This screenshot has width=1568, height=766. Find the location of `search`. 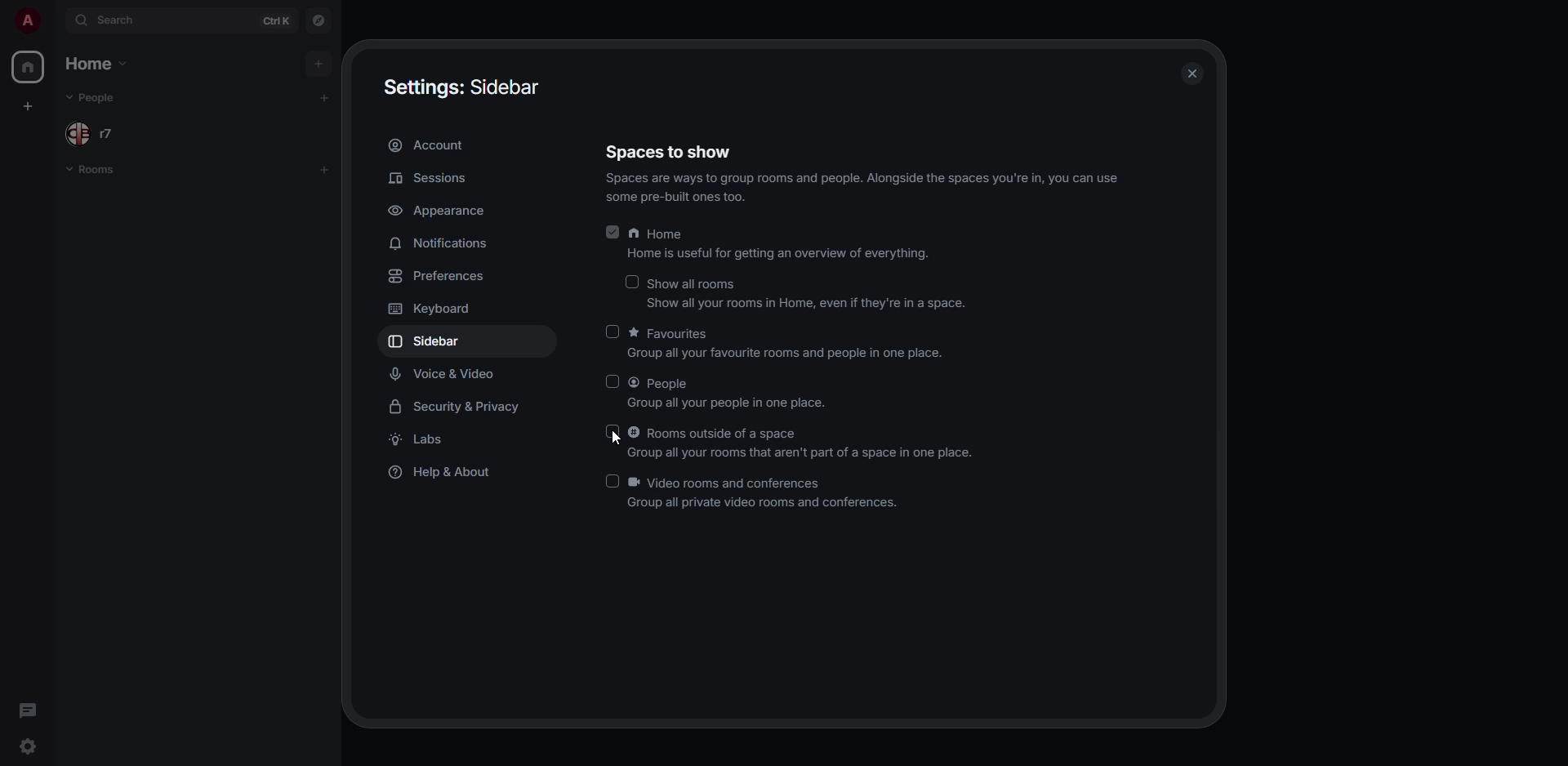

search is located at coordinates (119, 21).